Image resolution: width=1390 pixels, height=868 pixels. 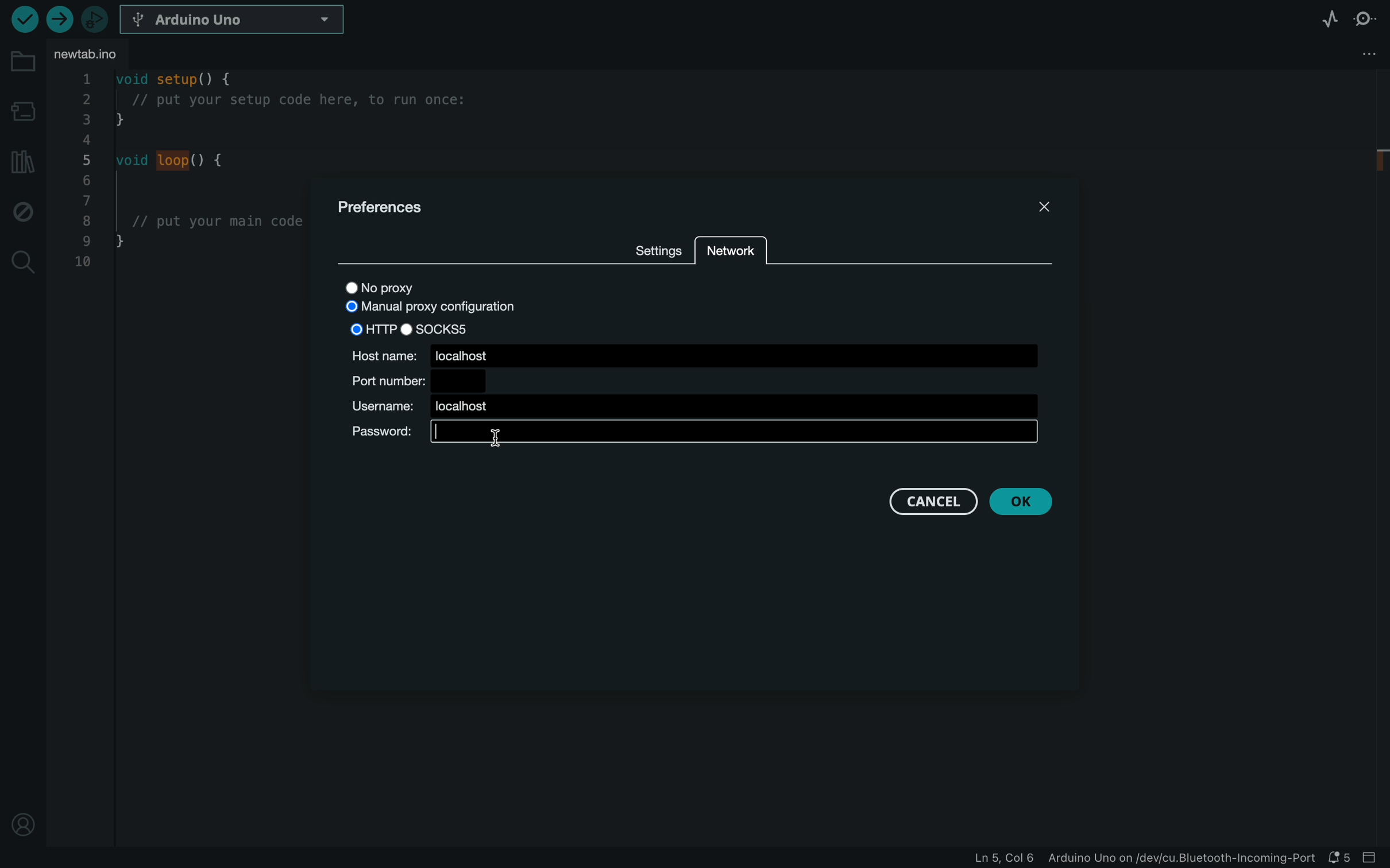 What do you see at coordinates (689, 406) in the screenshot?
I see `username` at bounding box center [689, 406].